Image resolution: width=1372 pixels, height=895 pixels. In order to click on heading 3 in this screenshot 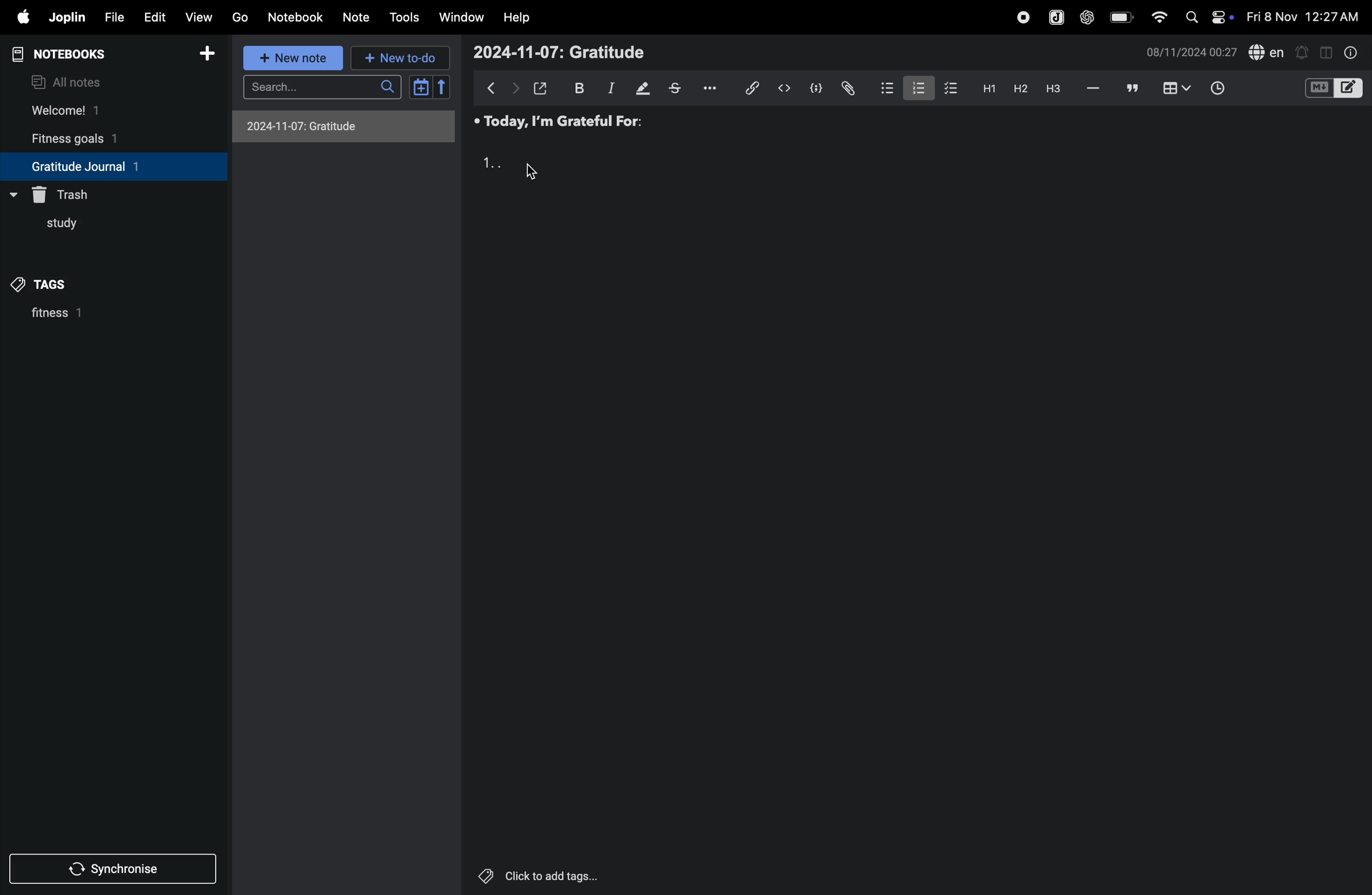, I will do `click(1056, 92)`.